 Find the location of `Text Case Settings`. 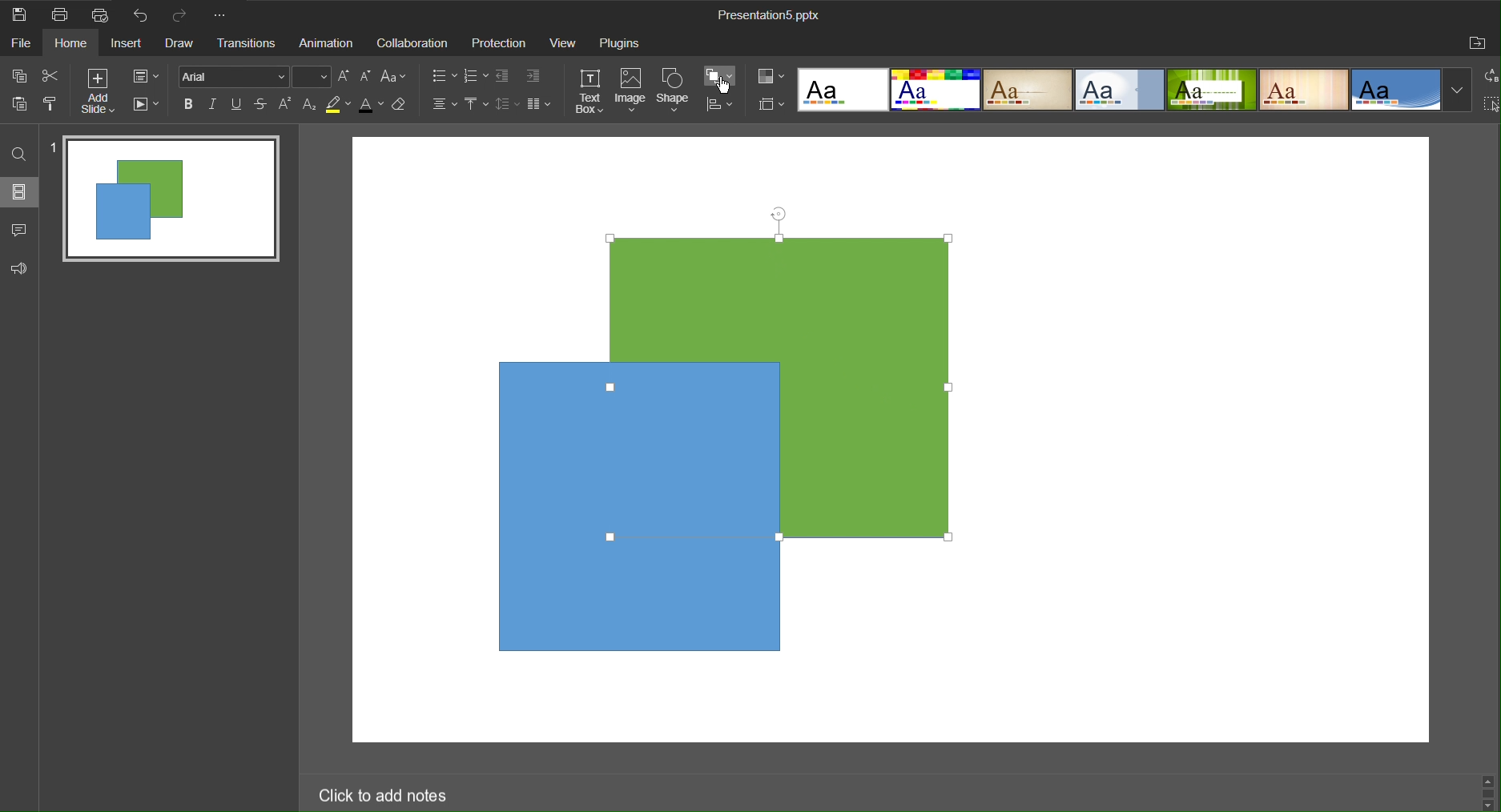

Text Case Settings is located at coordinates (399, 77).